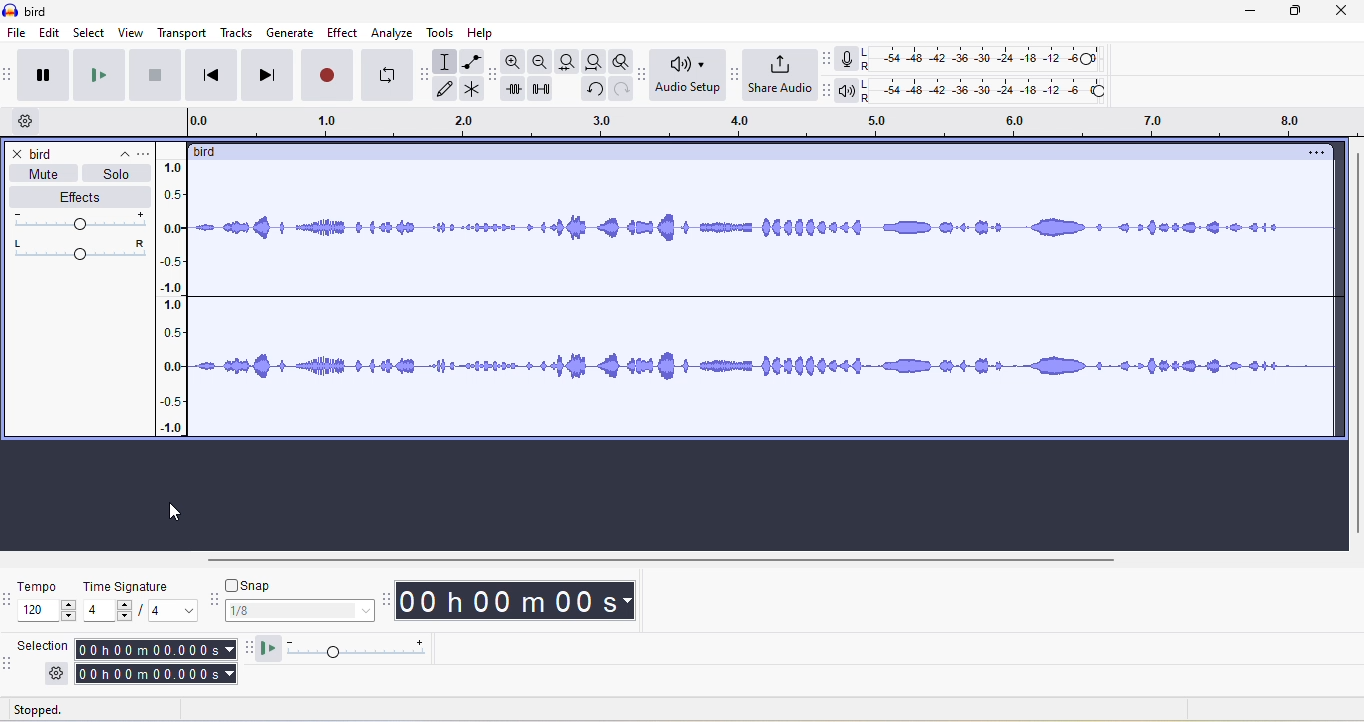 The width and height of the screenshot is (1364, 722). What do you see at coordinates (45, 154) in the screenshot?
I see `bird` at bounding box center [45, 154].